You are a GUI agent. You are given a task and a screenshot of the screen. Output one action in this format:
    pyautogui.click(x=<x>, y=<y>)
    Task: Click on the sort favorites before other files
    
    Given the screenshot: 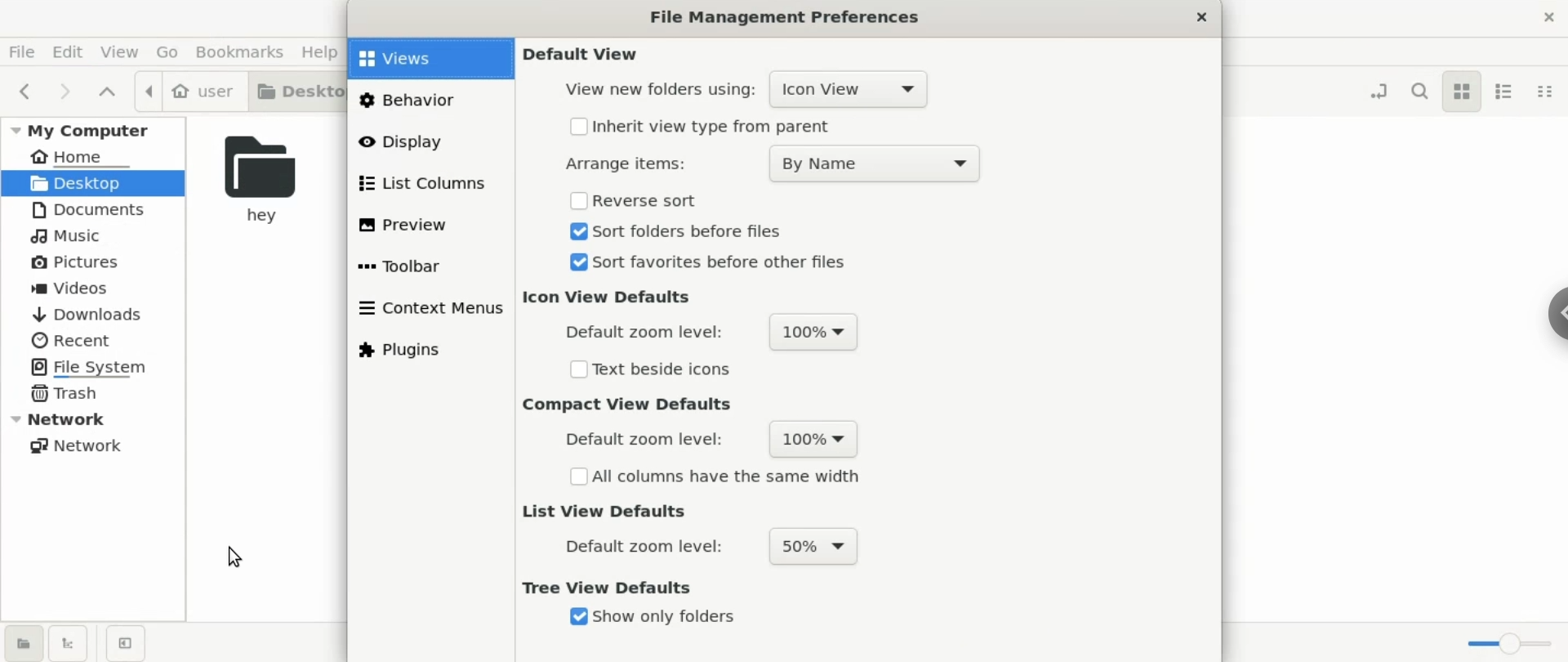 What is the action you would take?
    pyautogui.click(x=737, y=261)
    